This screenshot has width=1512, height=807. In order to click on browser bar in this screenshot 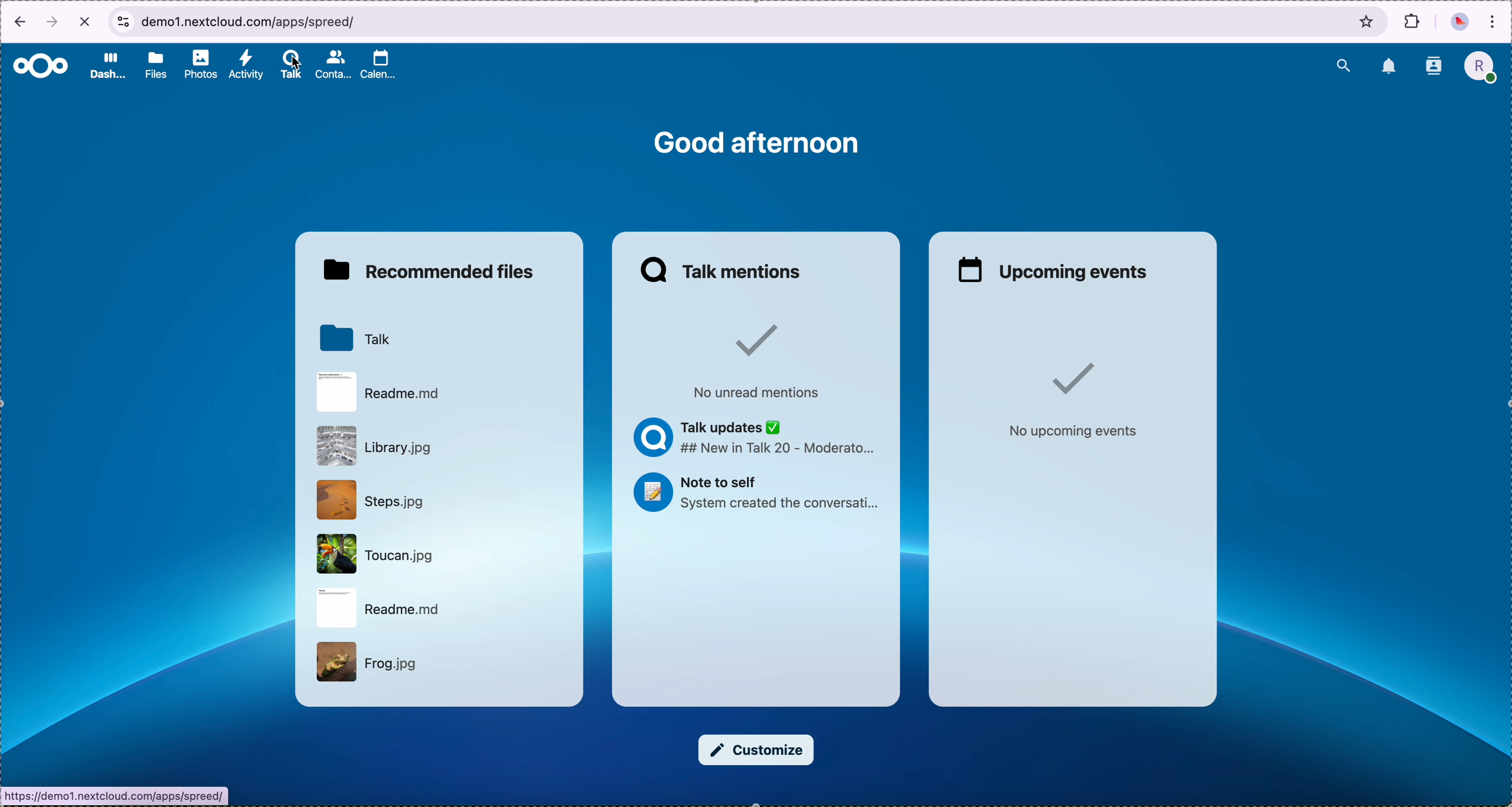, I will do `click(752, 22)`.